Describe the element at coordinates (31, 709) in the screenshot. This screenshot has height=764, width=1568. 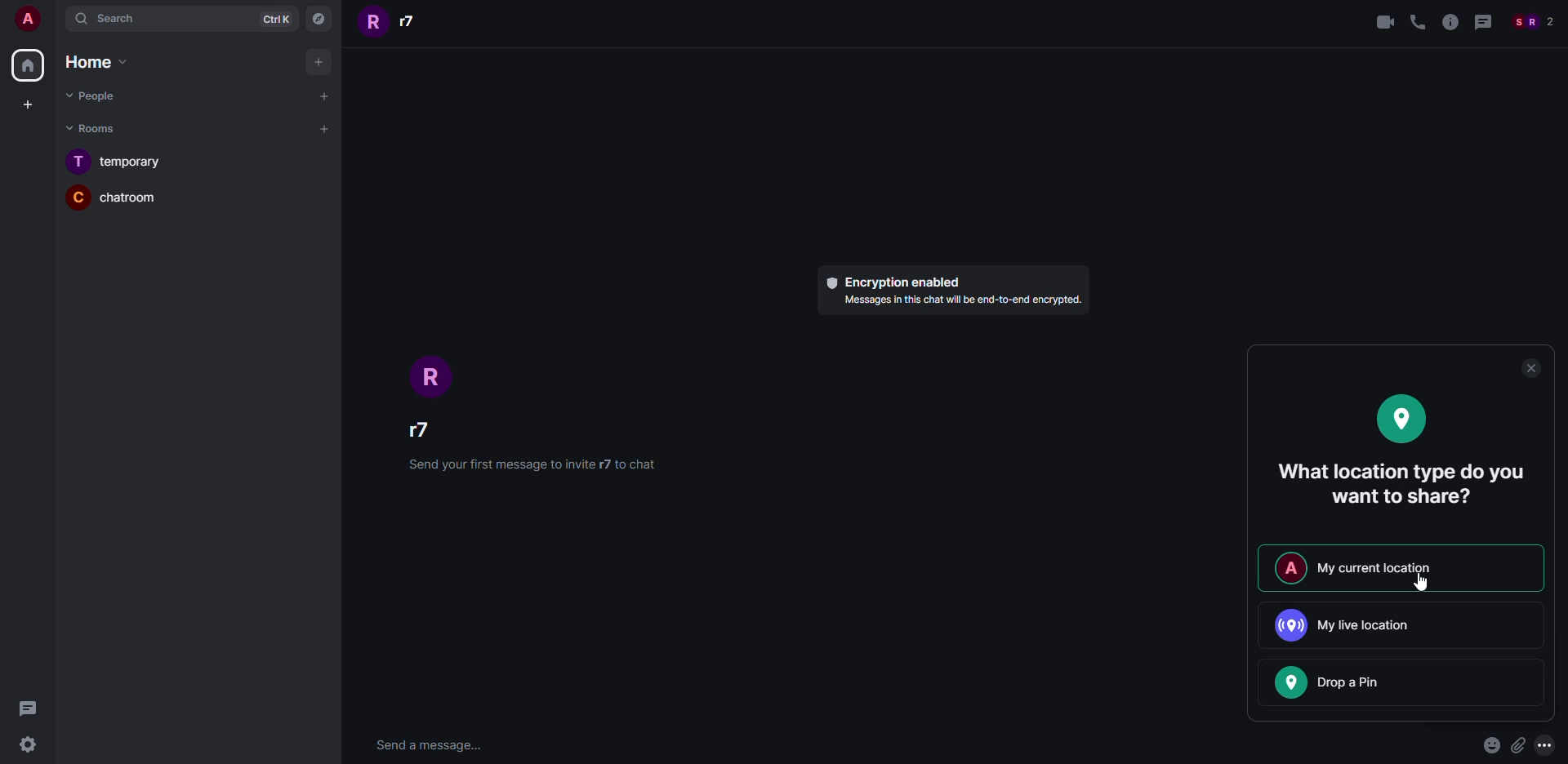
I see `Message` at that location.